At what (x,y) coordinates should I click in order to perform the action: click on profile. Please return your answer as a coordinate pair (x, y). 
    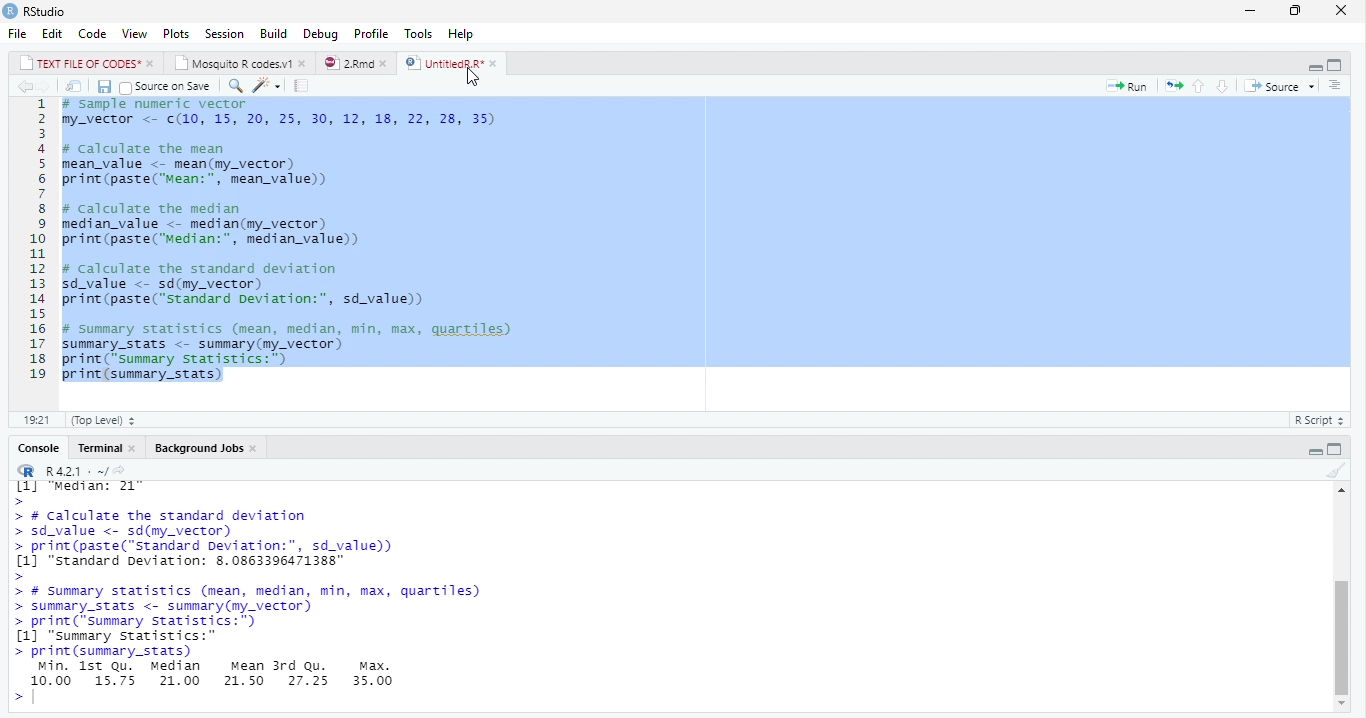
    Looking at the image, I should click on (371, 34).